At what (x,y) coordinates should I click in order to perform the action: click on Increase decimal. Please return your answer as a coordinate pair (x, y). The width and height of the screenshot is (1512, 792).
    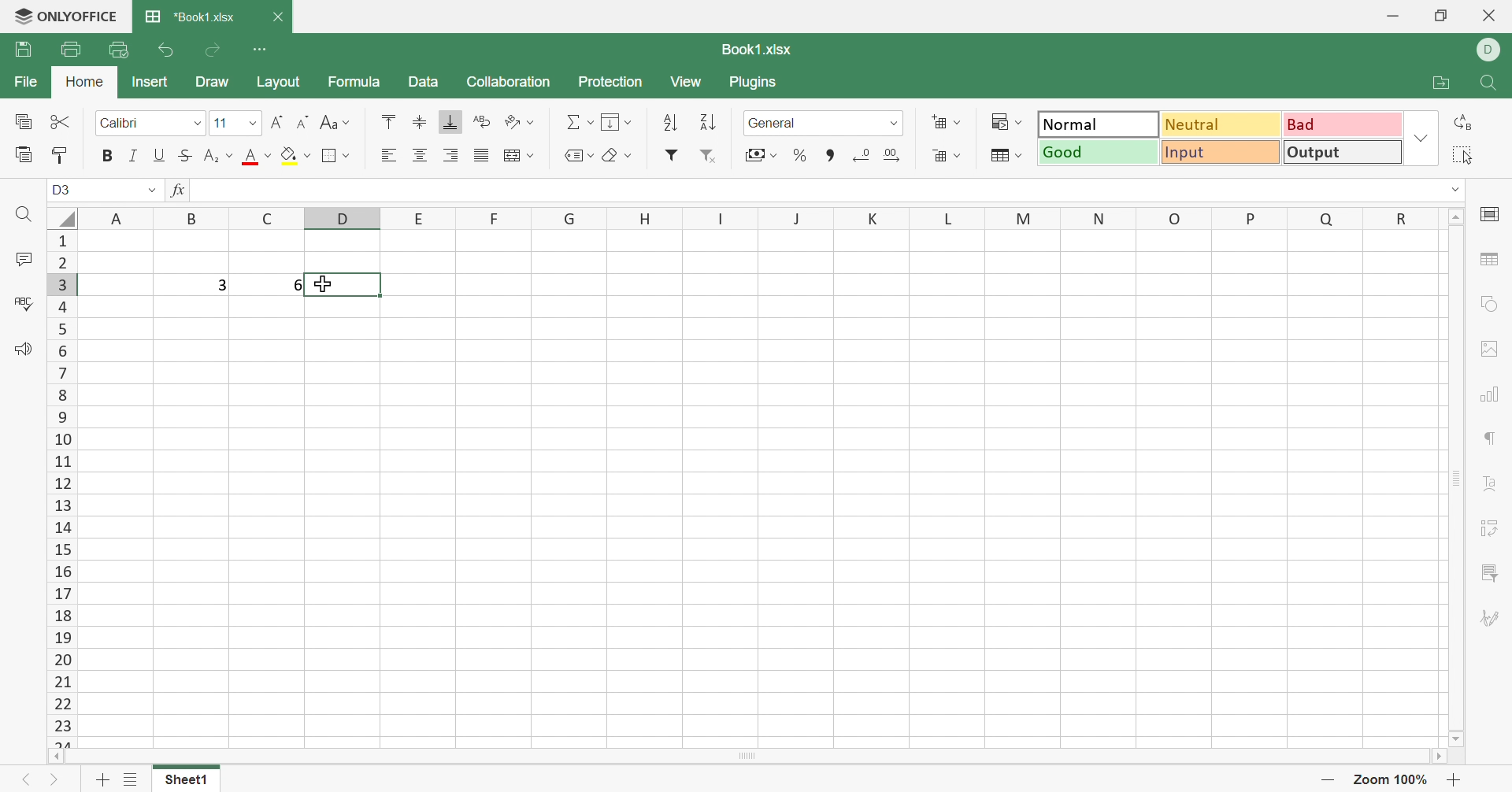
    Looking at the image, I should click on (892, 156).